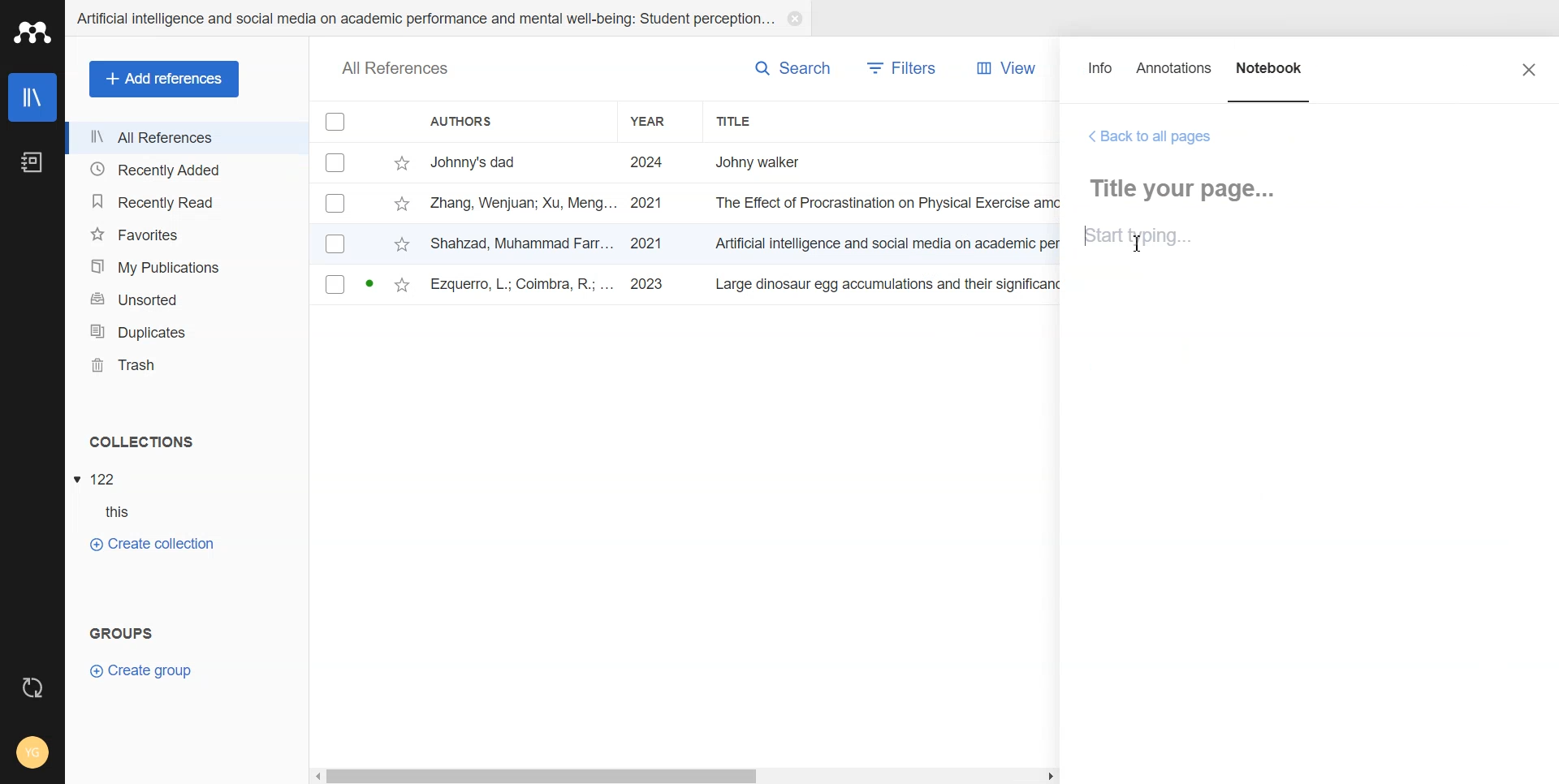  I want to click on Back to all Pages, so click(1151, 137).